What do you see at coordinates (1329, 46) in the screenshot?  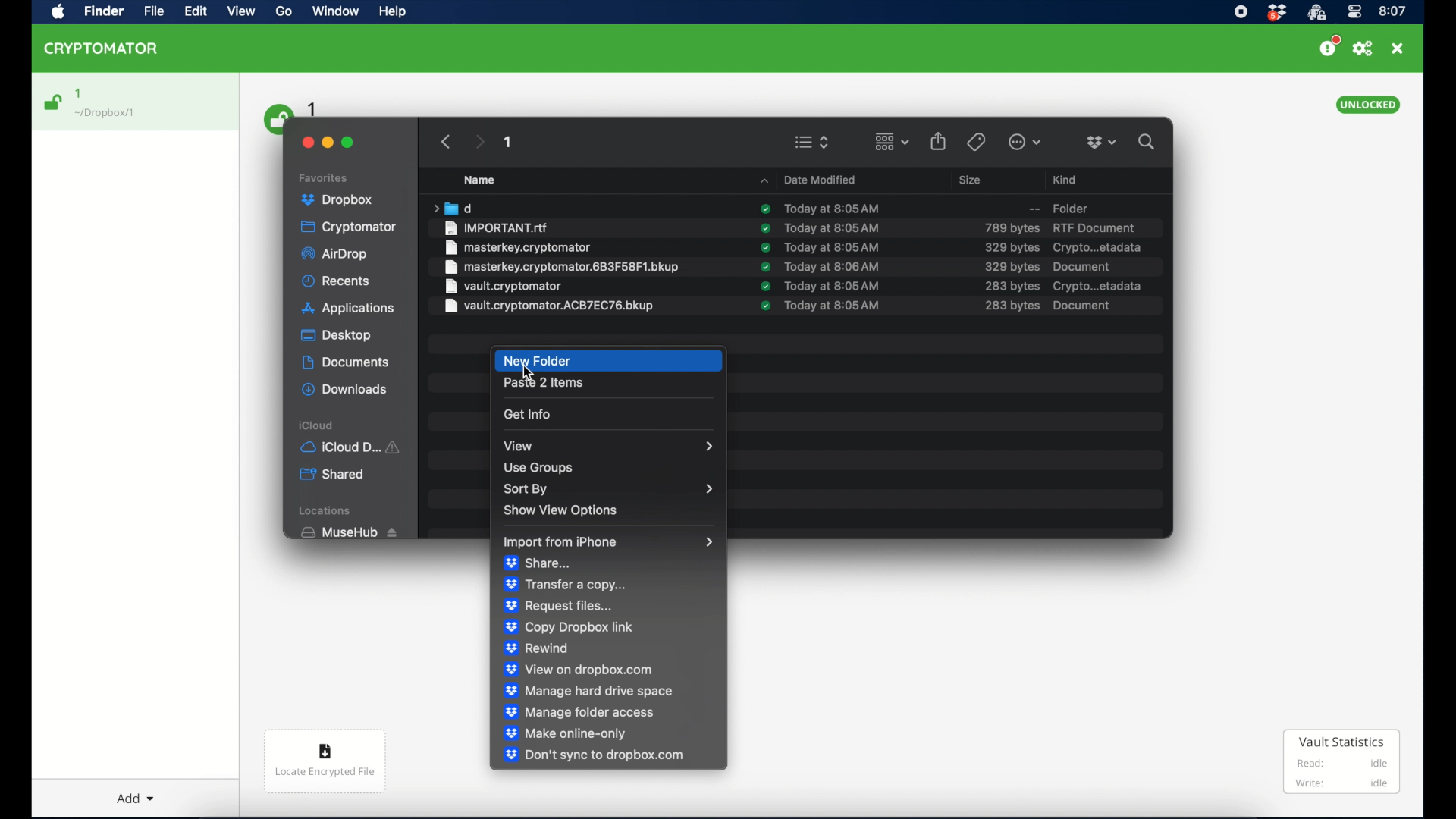 I see `support us` at bounding box center [1329, 46].